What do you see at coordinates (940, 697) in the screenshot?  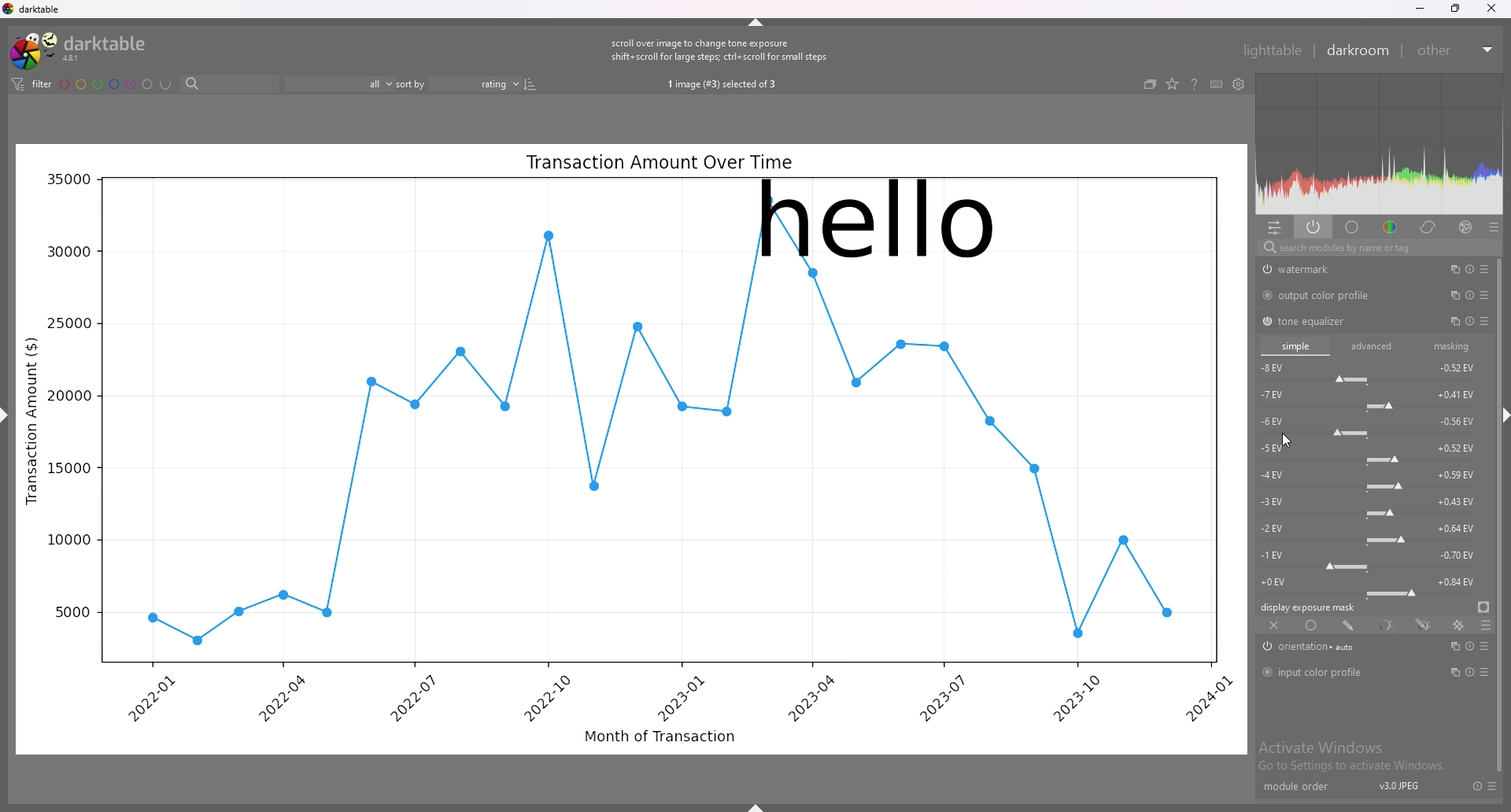 I see `2023-07` at bounding box center [940, 697].